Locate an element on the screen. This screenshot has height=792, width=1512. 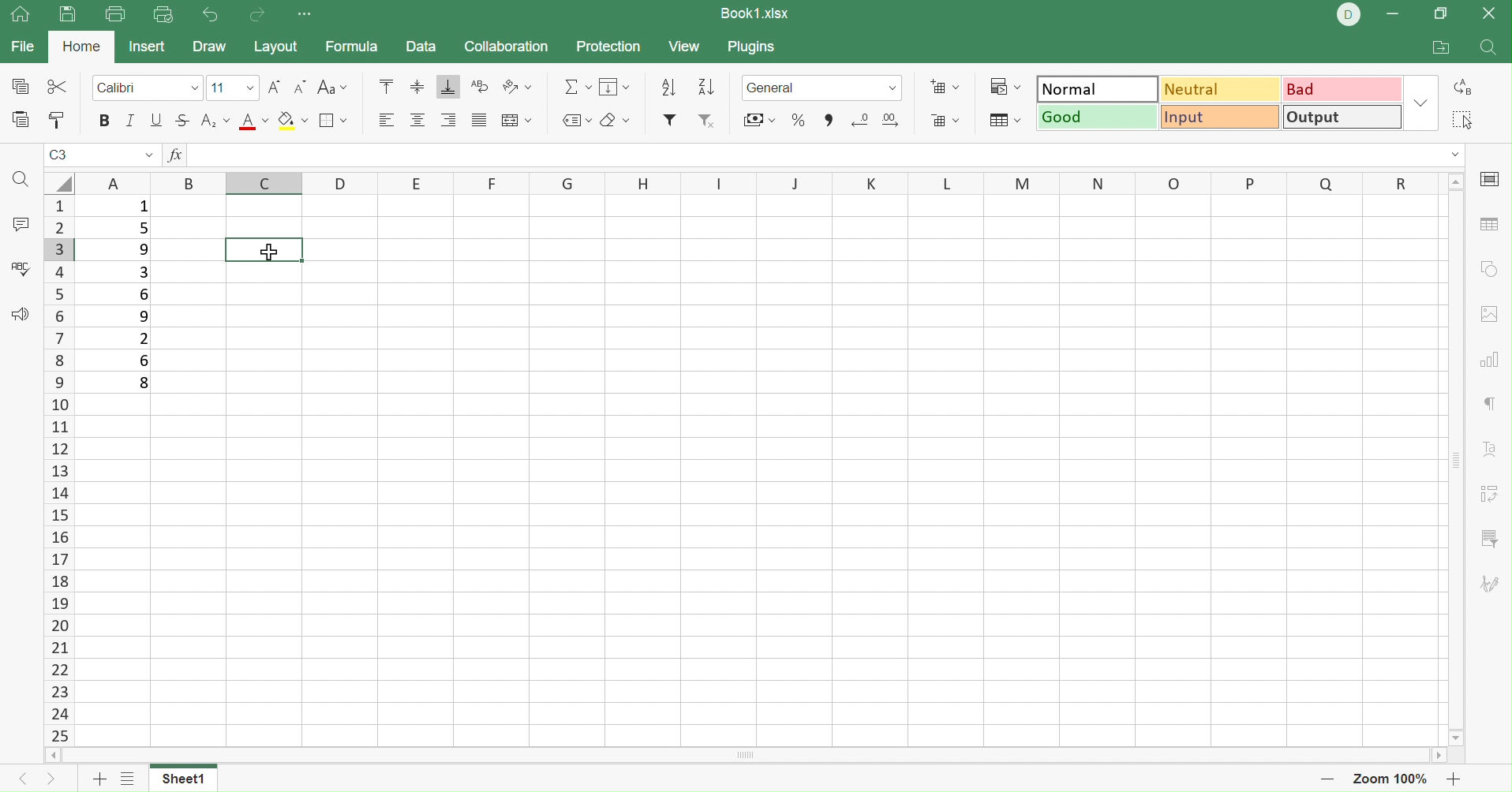
Zoom out is located at coordinates (1327, 780).